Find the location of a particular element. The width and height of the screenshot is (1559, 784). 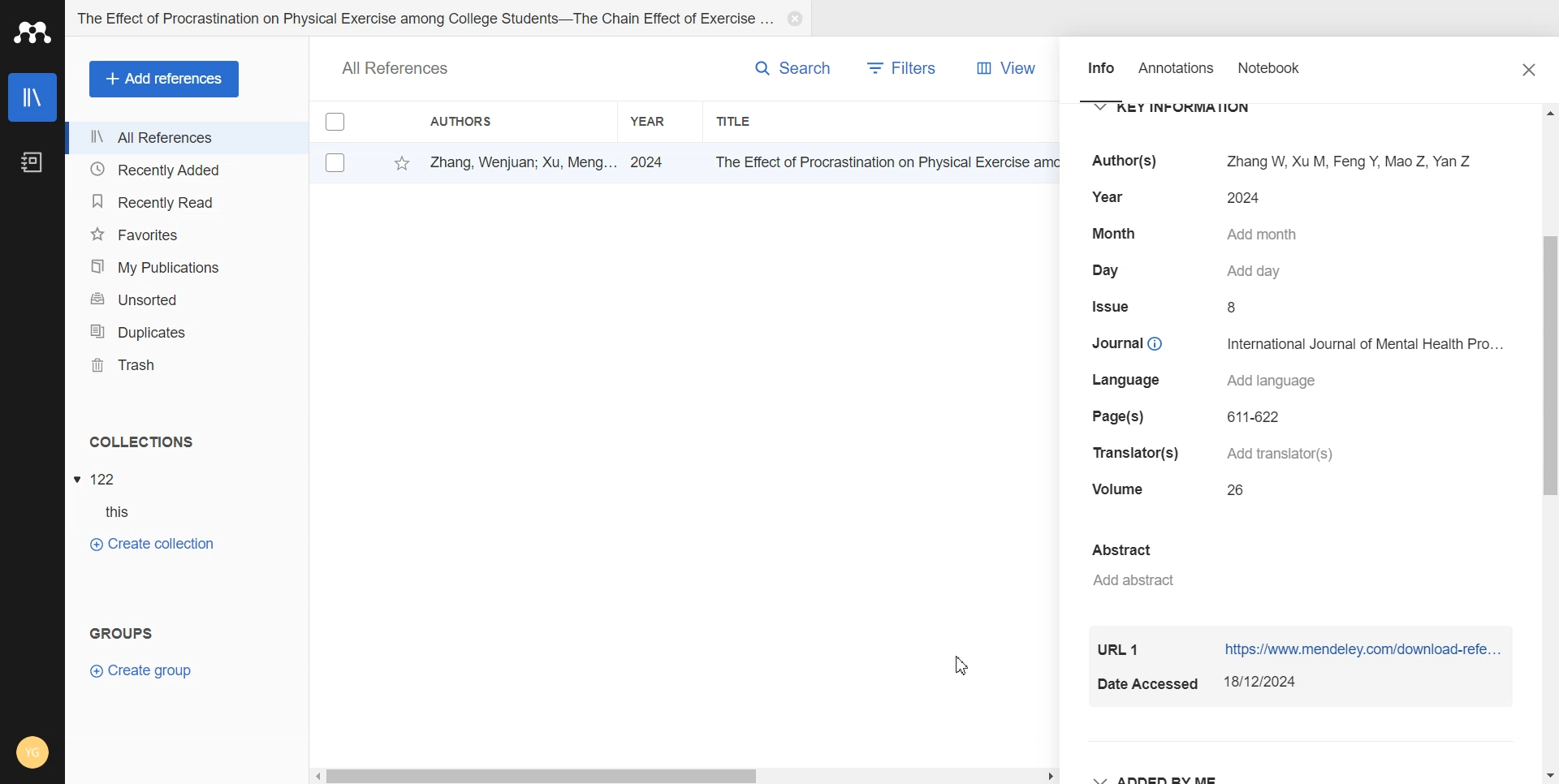

Notebook is located at coordinates (1282, 75).